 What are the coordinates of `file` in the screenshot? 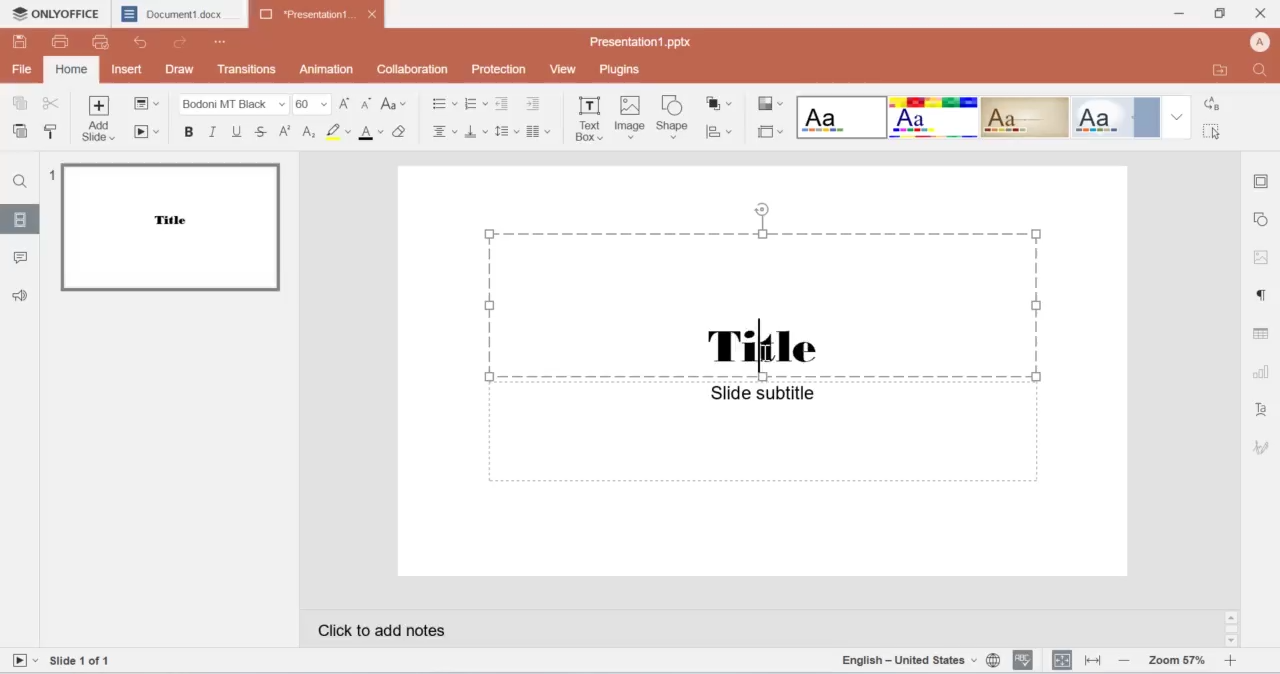 It's located at (148, 102).